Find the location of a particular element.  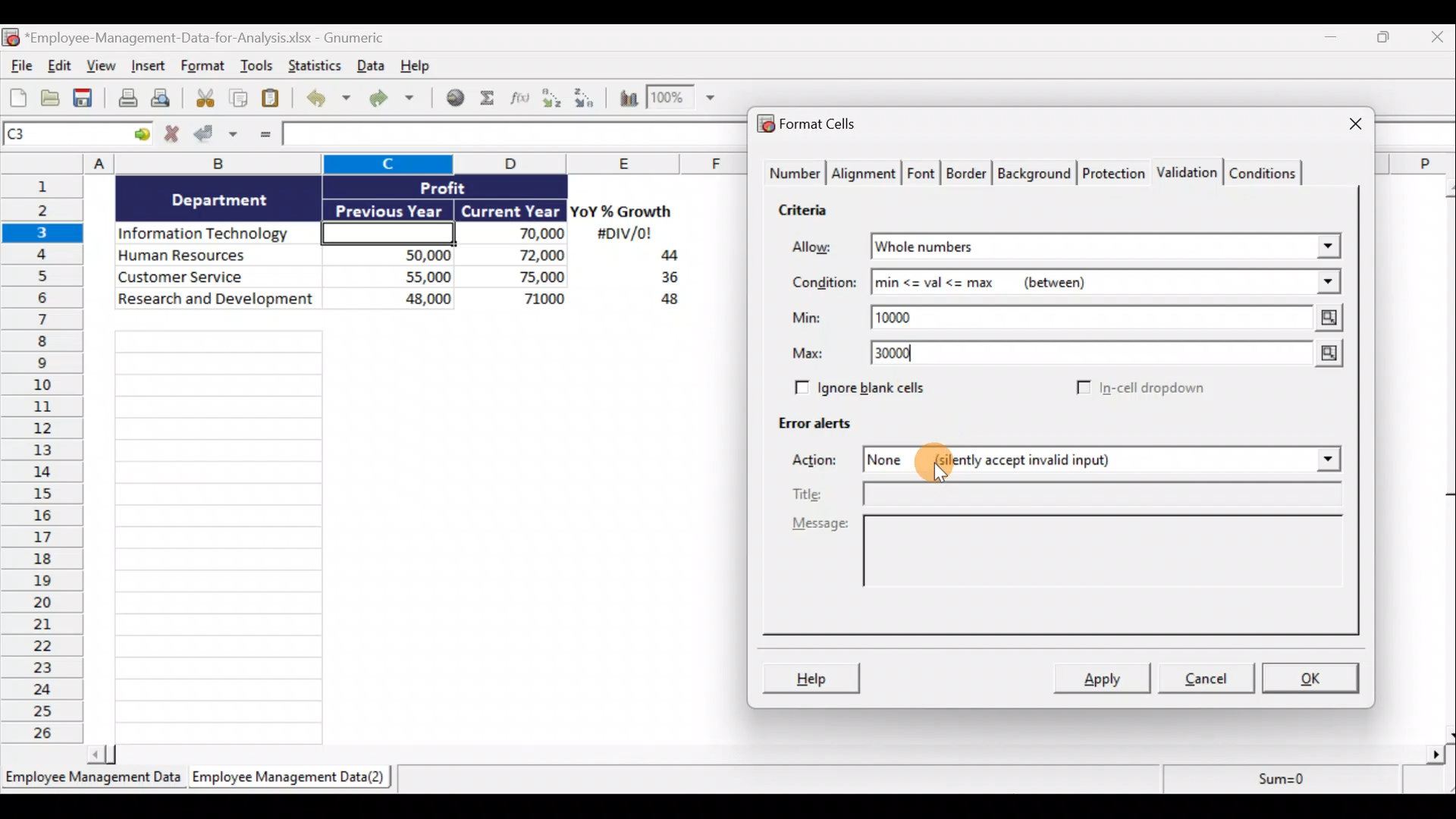

Data is located at coordinates (369, 65).